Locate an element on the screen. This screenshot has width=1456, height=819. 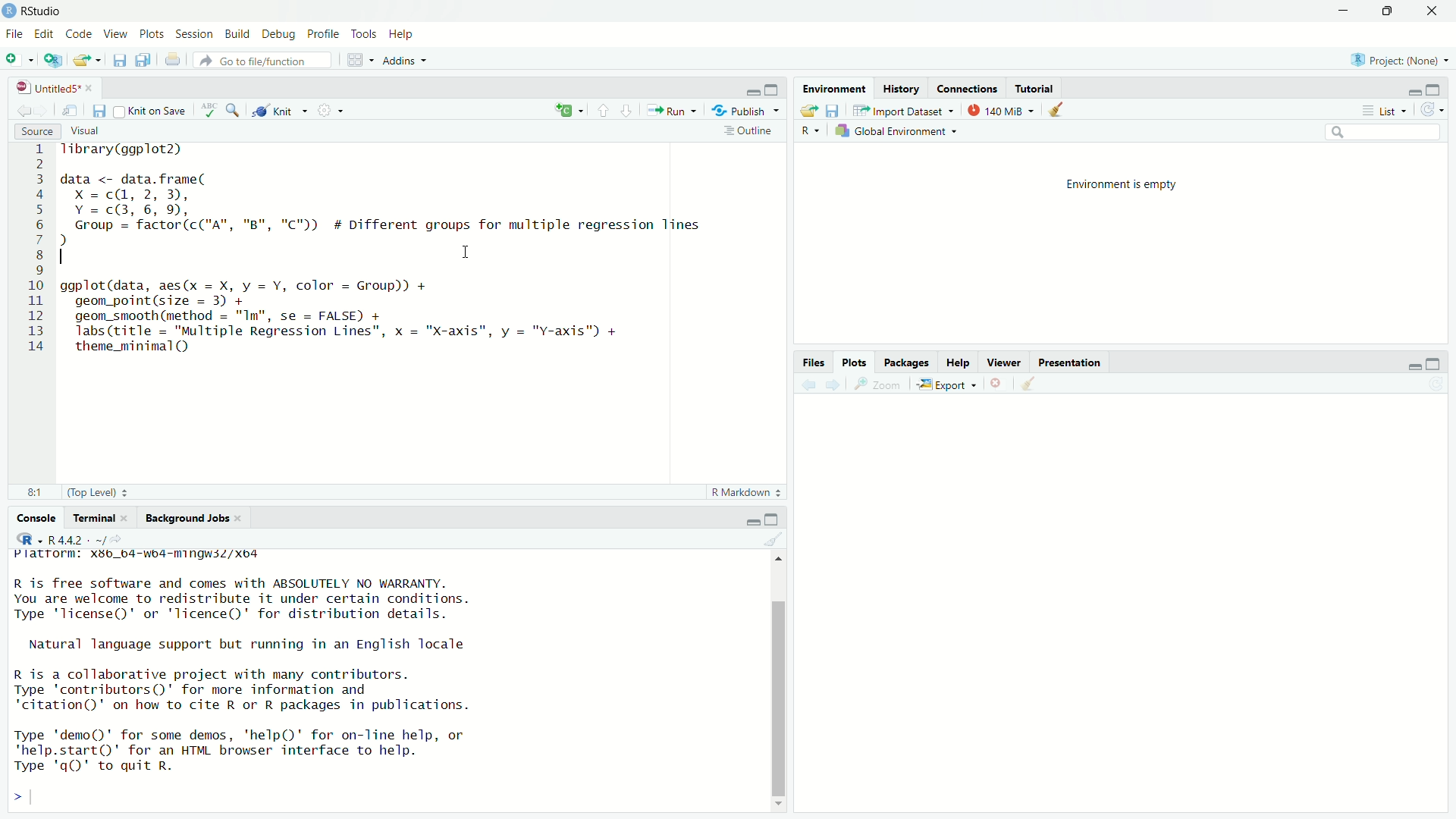
Project: (None) is located at coordinates (1398, 61).